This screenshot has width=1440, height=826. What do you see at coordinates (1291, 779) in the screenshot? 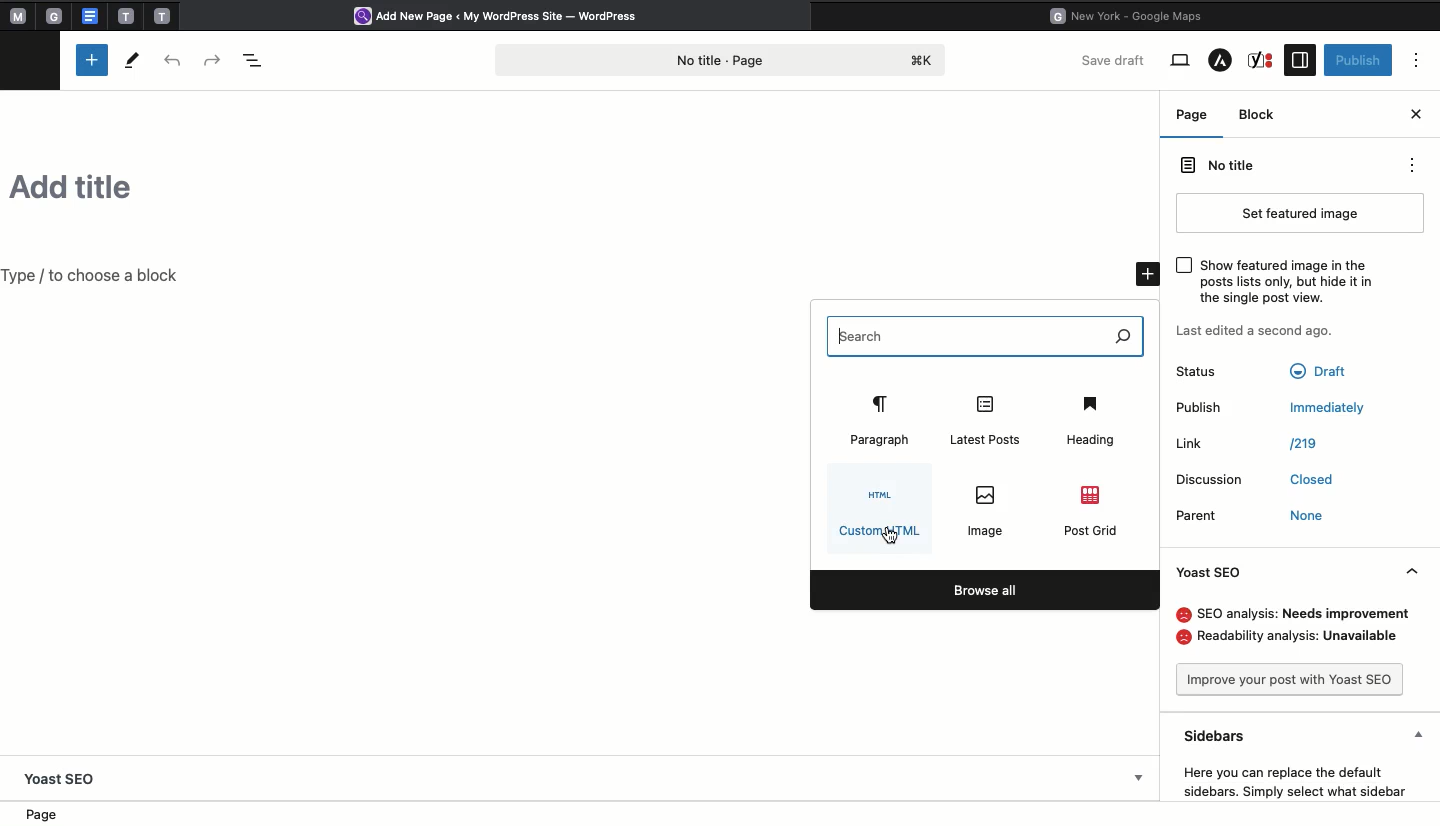
I see `here you can replace the default sidebars` at bounding box center [1291, 779].